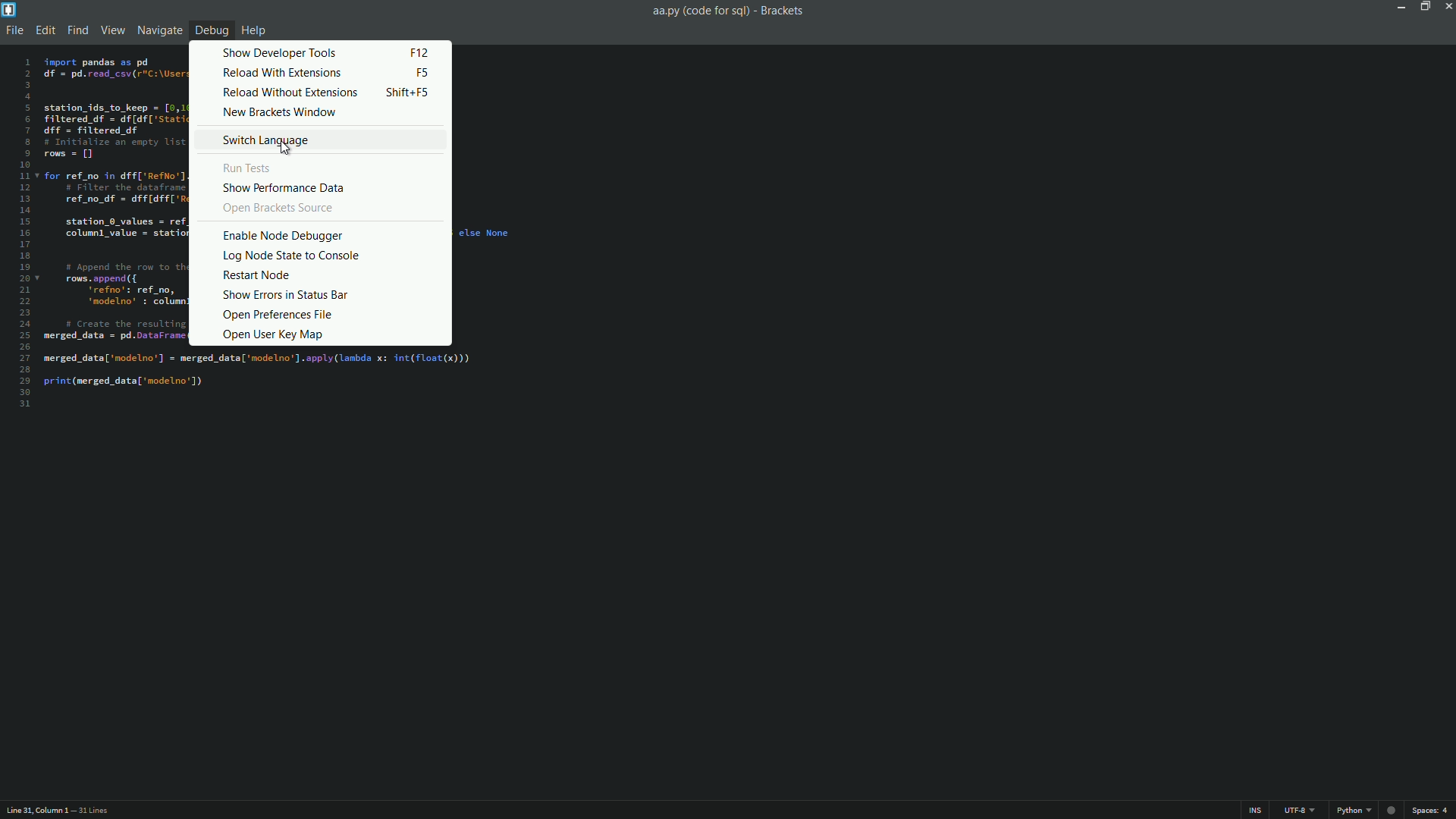 This screenshot has width=1456, height=819. Describe the element at coordinates (78, 31) in the screenshot. I see `find menu` at that location.